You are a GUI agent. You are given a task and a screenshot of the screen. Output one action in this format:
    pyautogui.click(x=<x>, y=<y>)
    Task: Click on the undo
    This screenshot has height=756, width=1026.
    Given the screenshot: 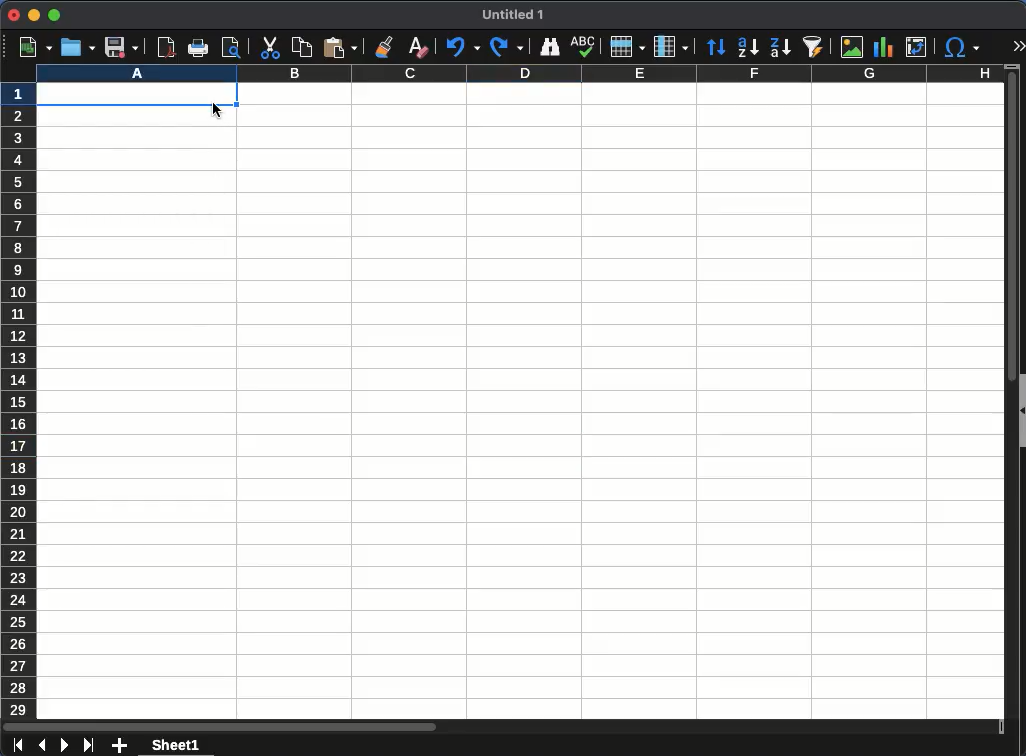 What is the action you would take?
    pyautogui.click(x=463, y=48)
    